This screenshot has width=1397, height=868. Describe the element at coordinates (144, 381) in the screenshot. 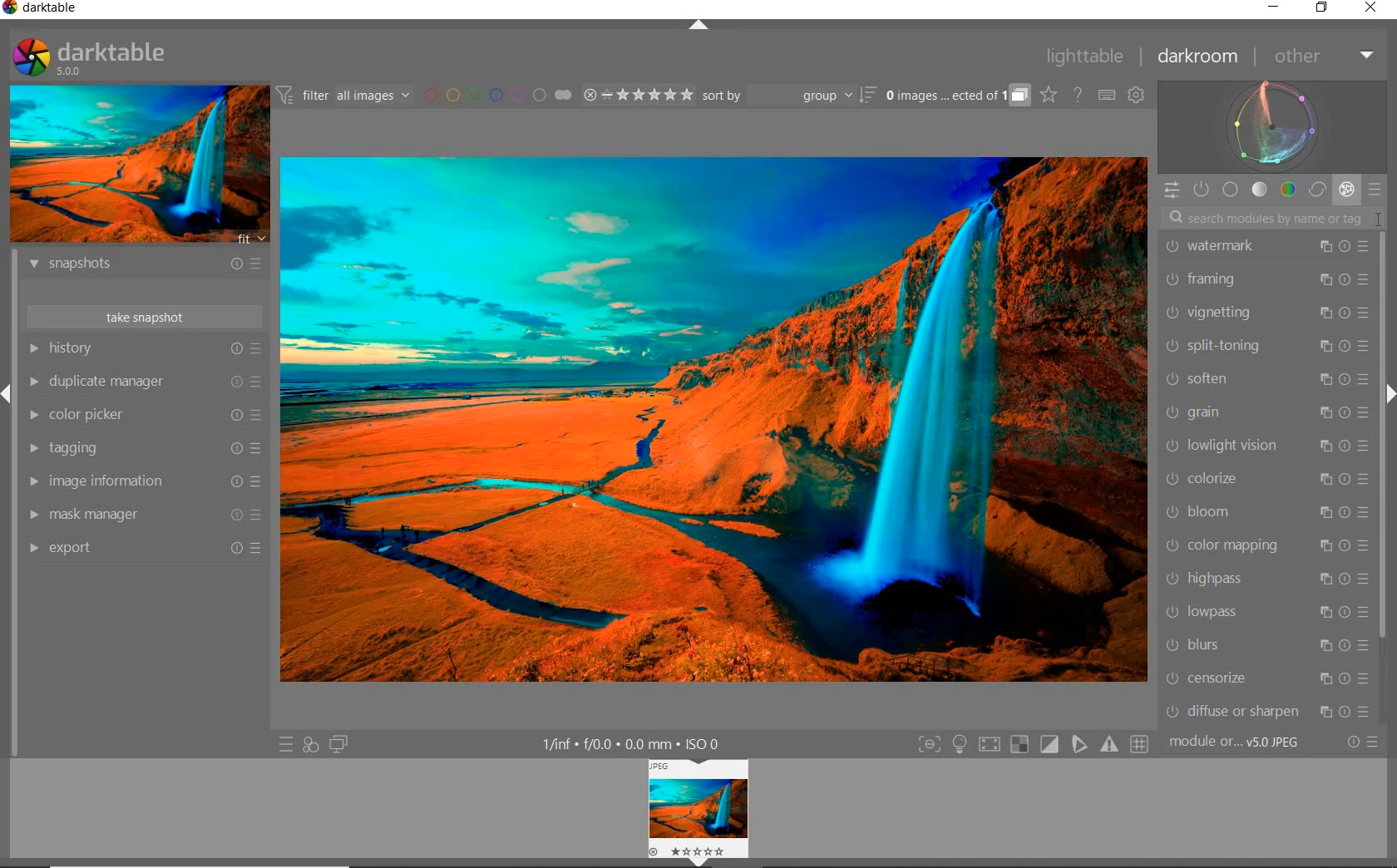

I see `duplicate manager` at that location.